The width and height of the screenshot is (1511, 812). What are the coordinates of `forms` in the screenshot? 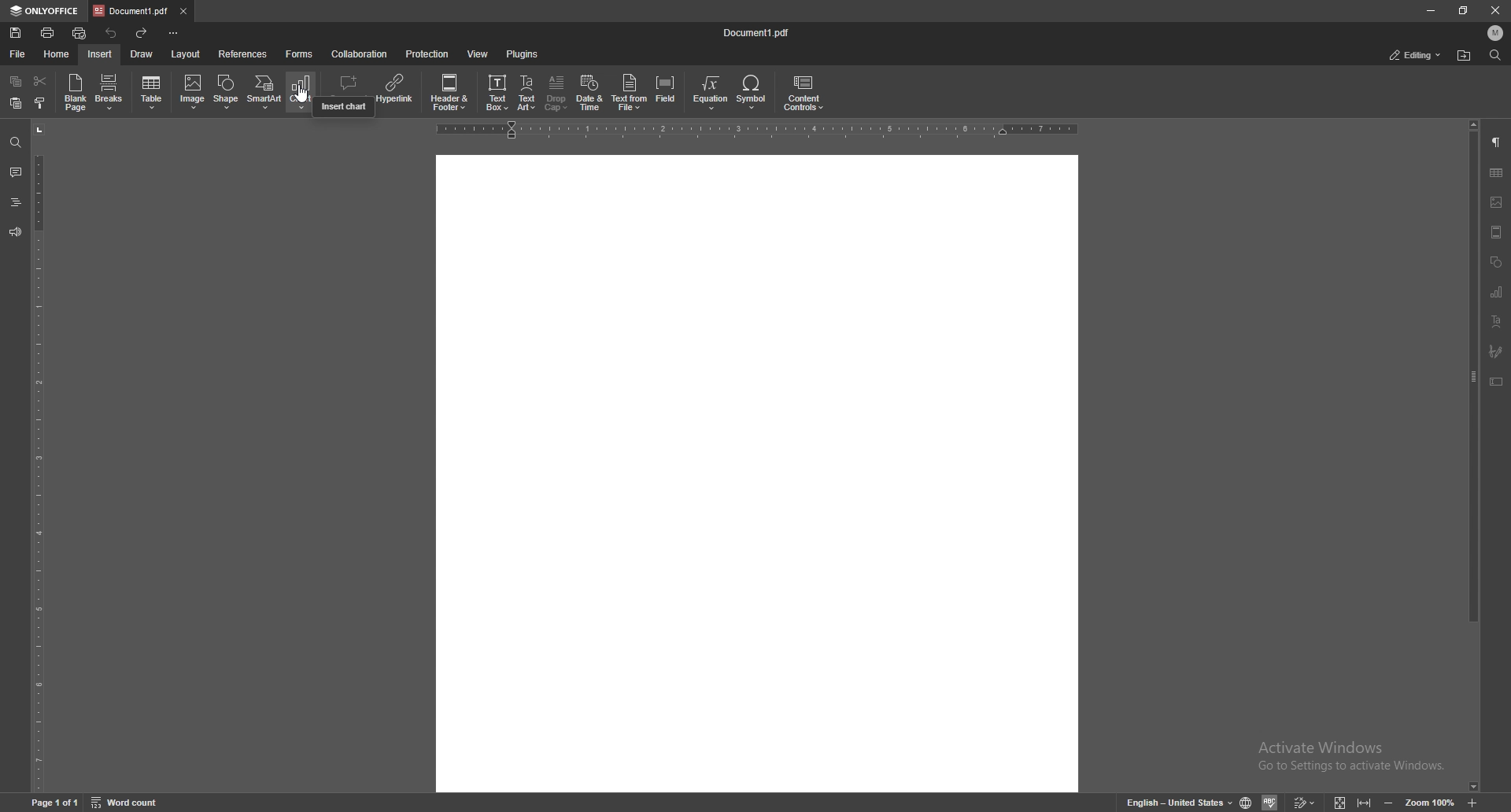 It's located at (301, 55).